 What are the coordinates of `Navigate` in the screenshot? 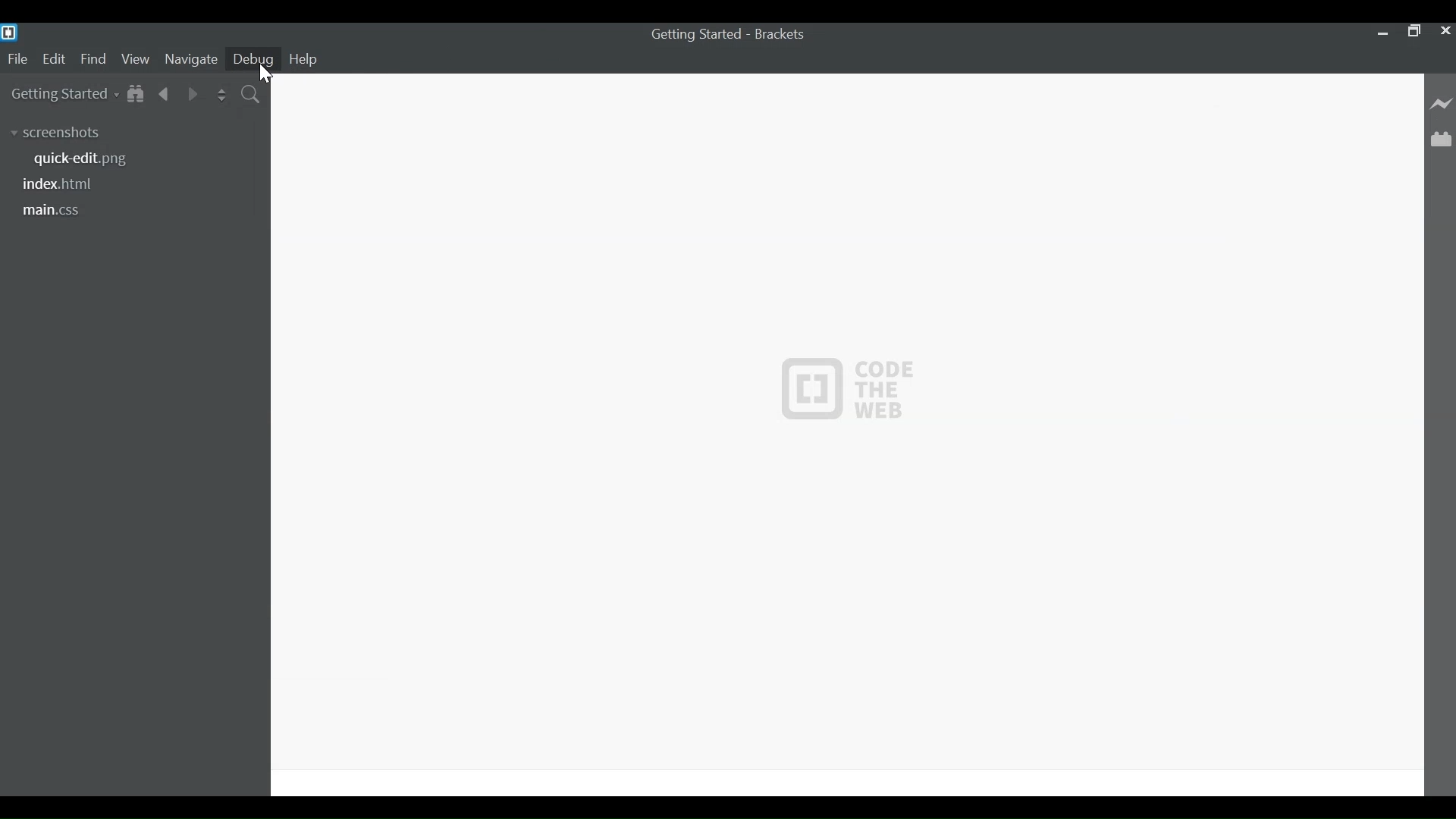 It's located at (190, 59).